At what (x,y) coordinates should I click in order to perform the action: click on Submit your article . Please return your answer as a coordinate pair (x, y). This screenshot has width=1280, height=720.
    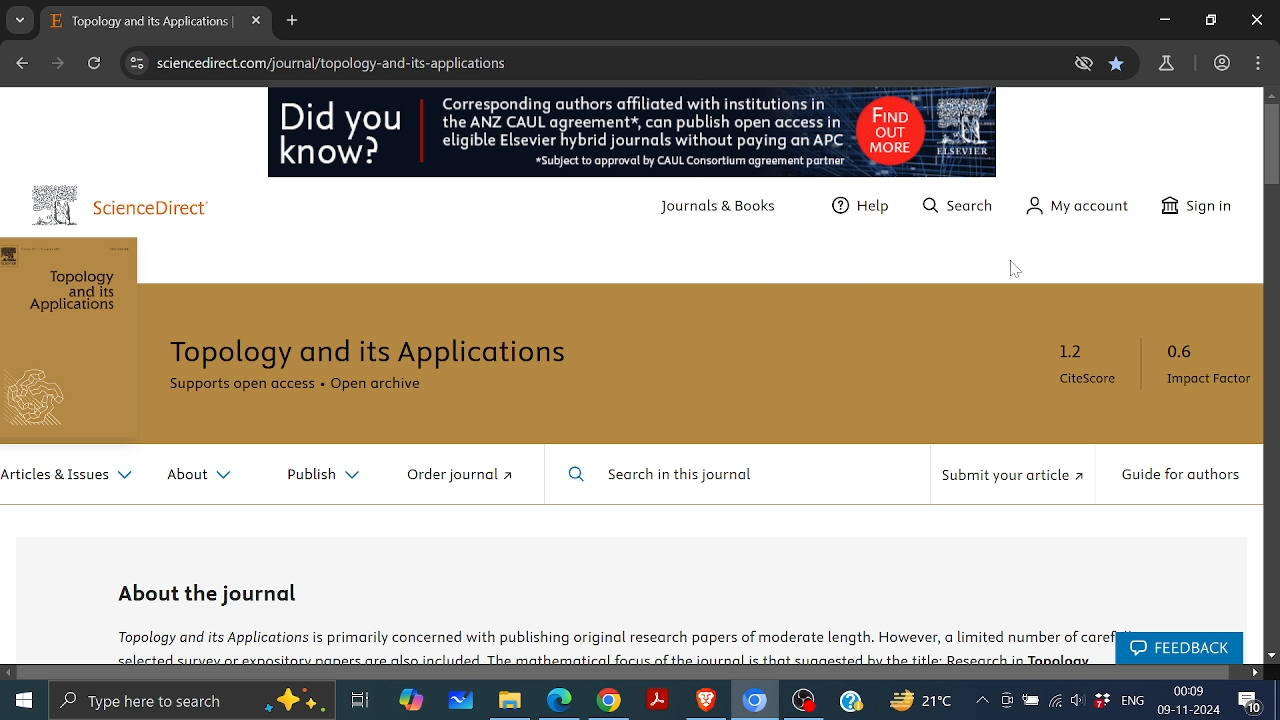
    Looking at the image, I should click on (1011, 481).